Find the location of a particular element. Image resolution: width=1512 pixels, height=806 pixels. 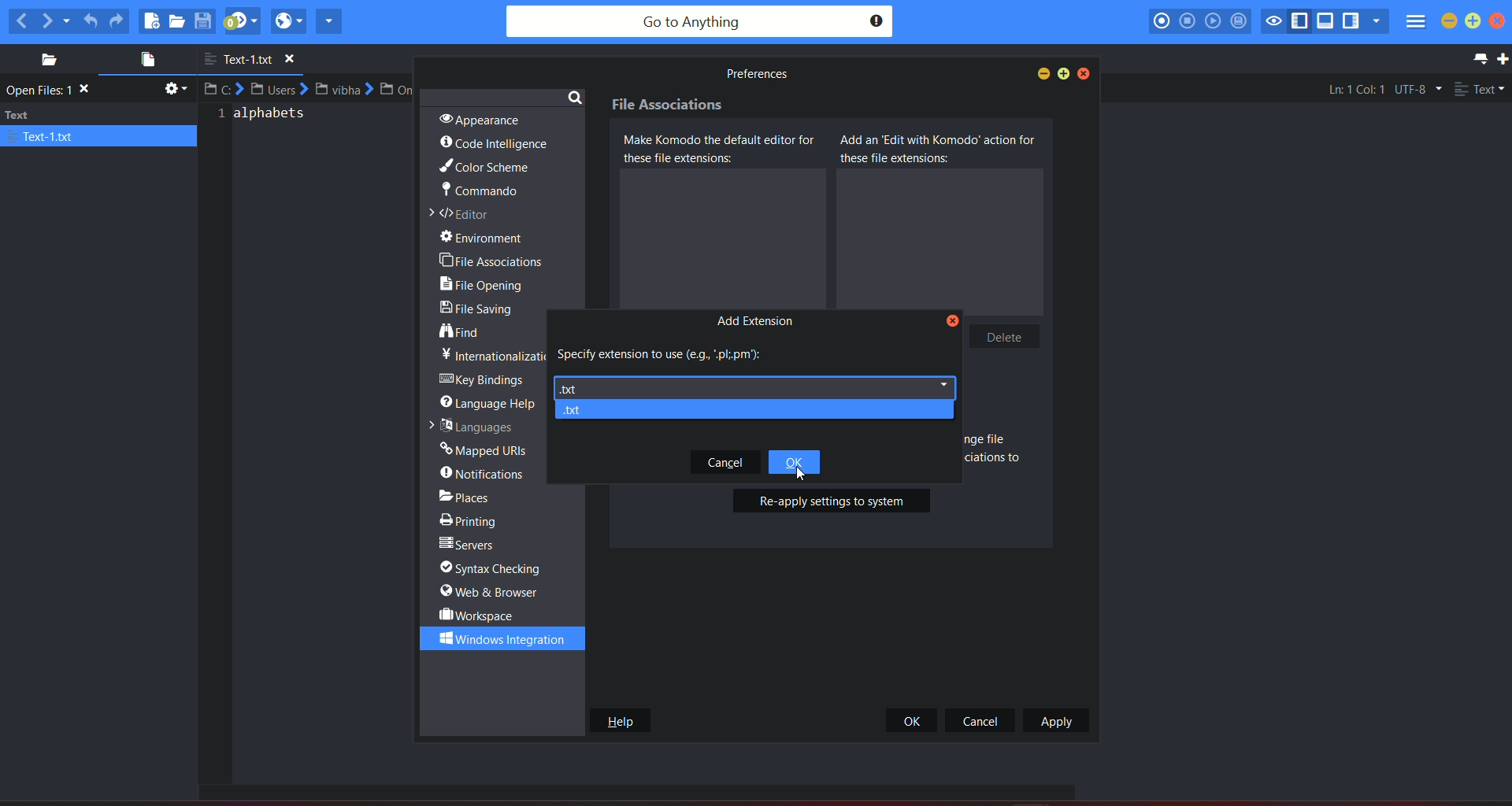

next is located at coordinates (56, 20).